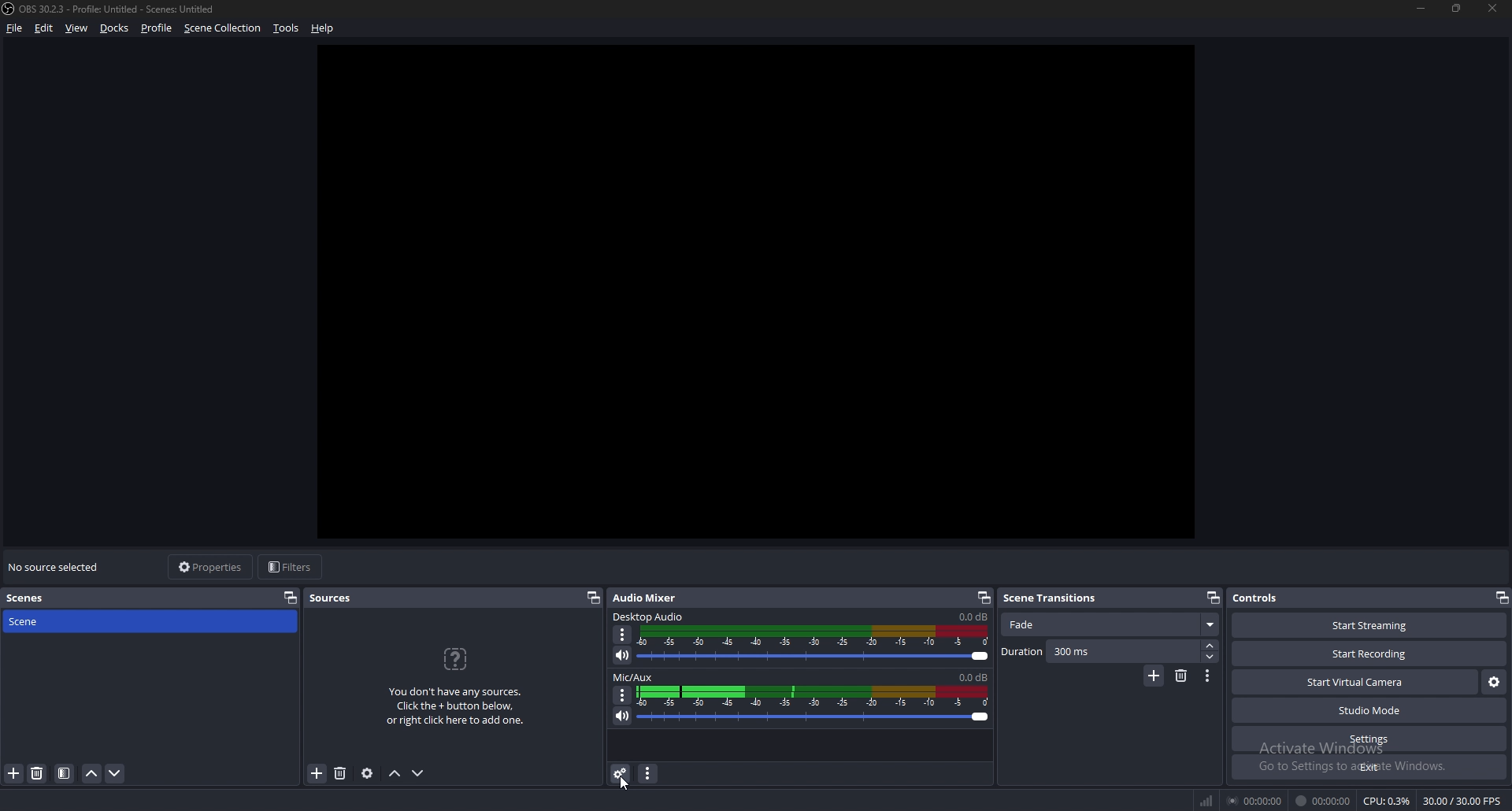 This screenshot has width=1512, height=811. Describe the element at coordinates (64, 774) in the screenshot. I see `filter` at that location.